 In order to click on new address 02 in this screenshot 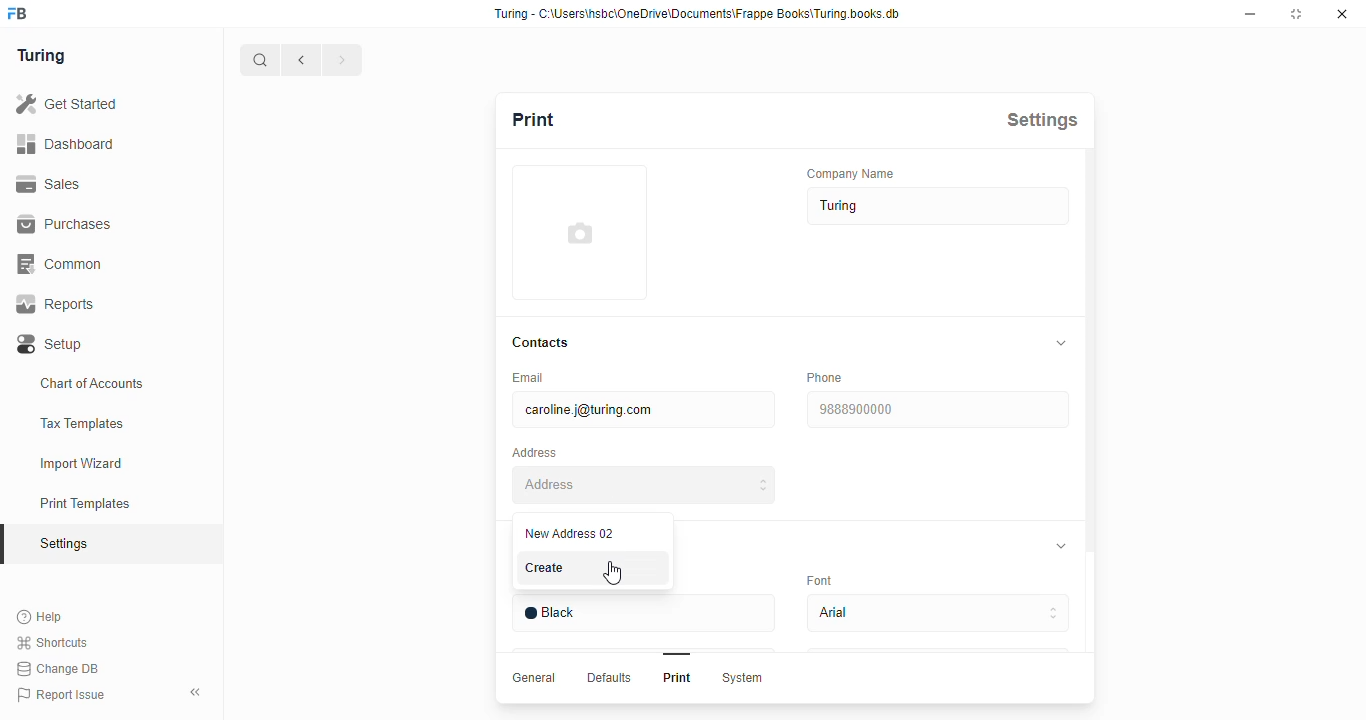, I will do `click(571, 532)`.